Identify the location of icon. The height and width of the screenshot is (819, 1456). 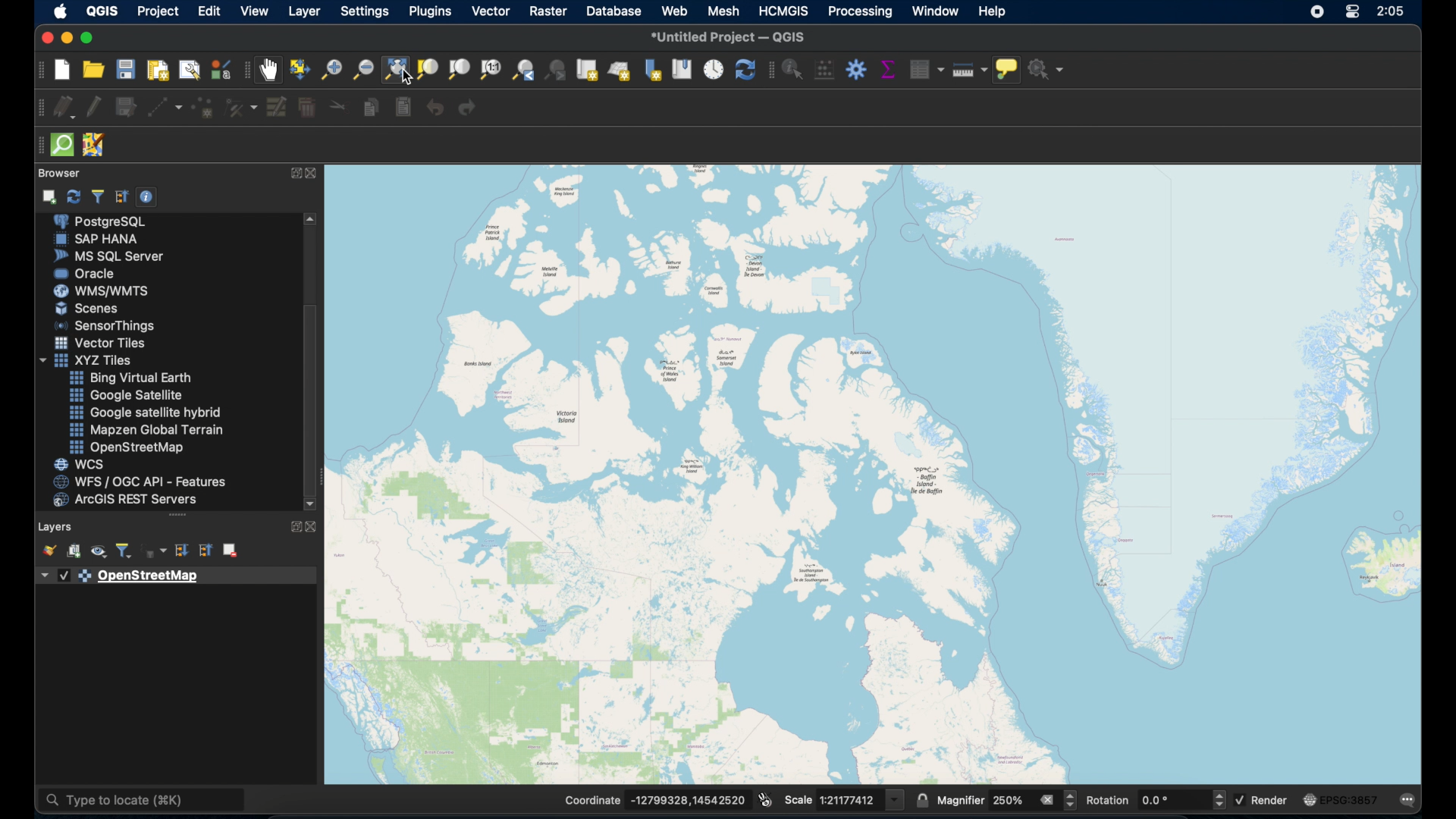
(85, 577).